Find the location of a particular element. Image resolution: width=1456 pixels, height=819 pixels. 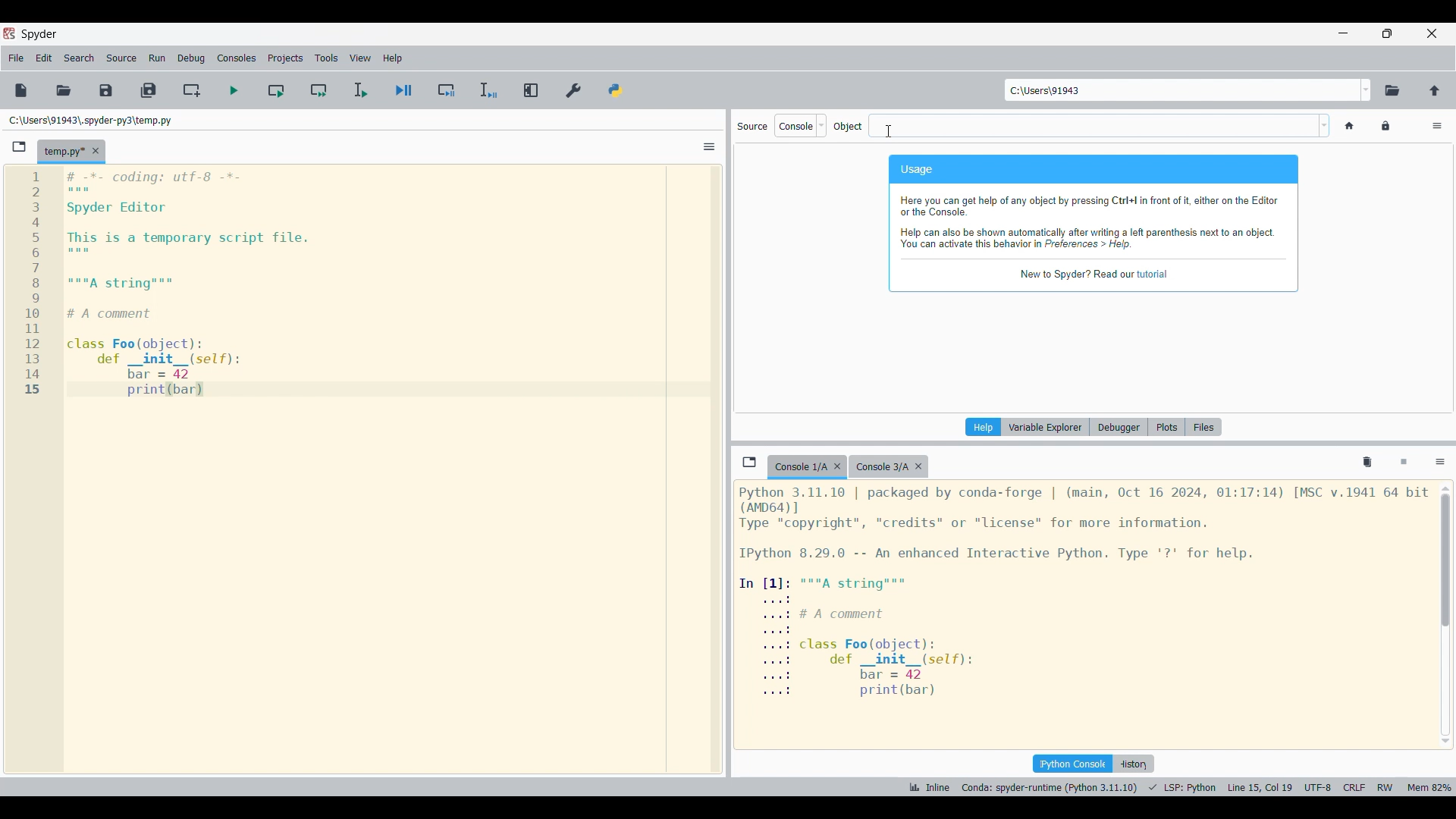

Lock is located at coordinates (1385, 126).